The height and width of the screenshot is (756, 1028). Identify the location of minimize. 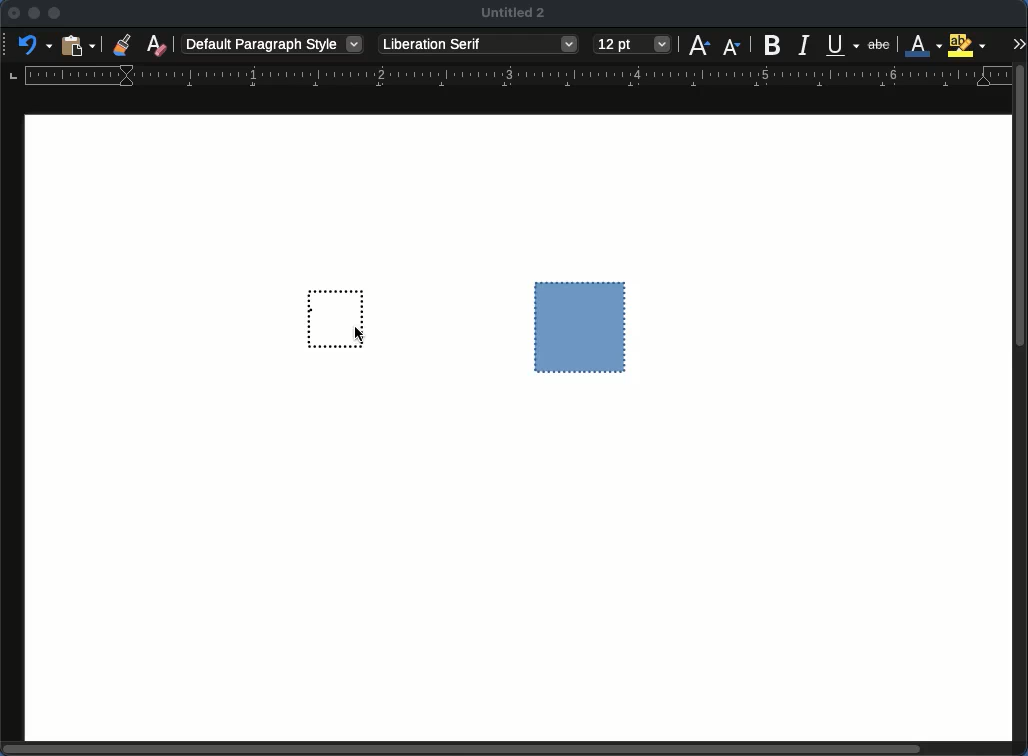
(34, 13).